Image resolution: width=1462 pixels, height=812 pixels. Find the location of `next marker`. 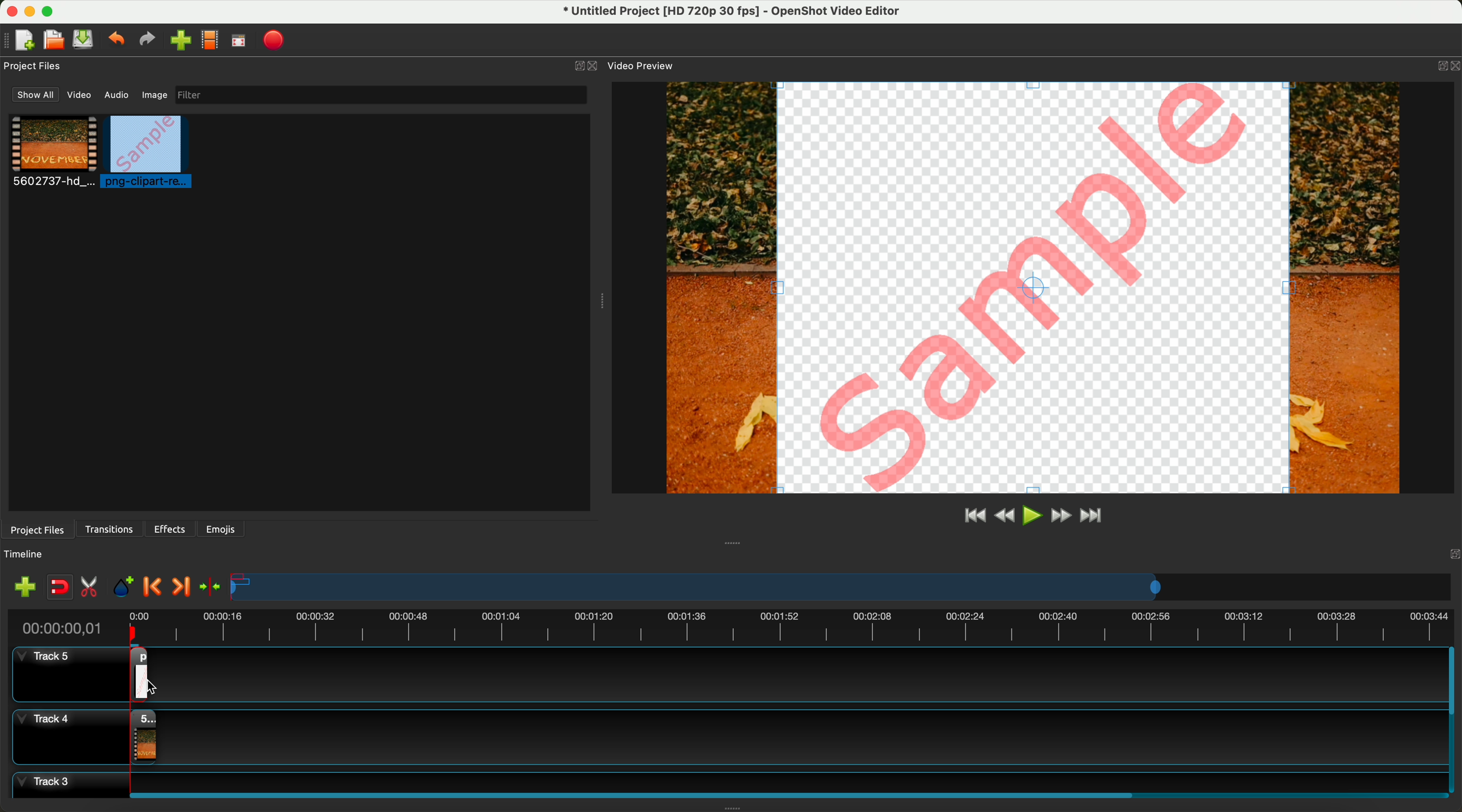

next marker is located at coordinates (180, 587).